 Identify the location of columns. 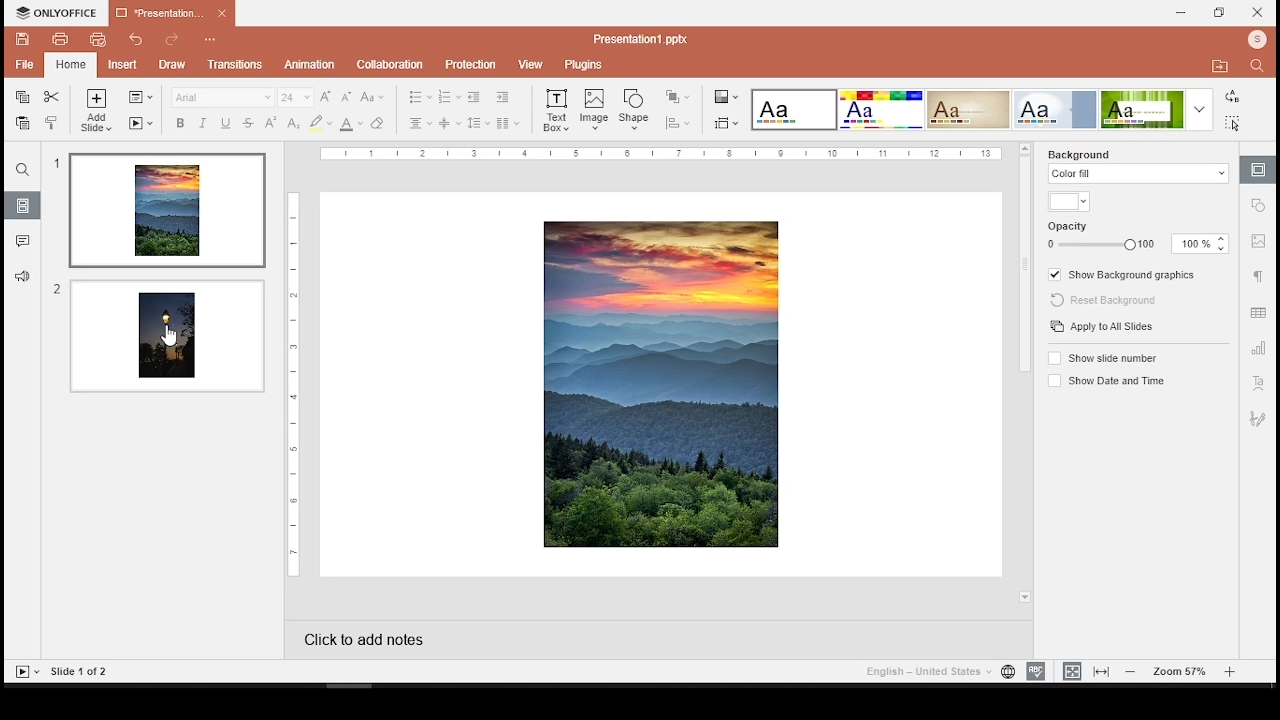
(508, 123).